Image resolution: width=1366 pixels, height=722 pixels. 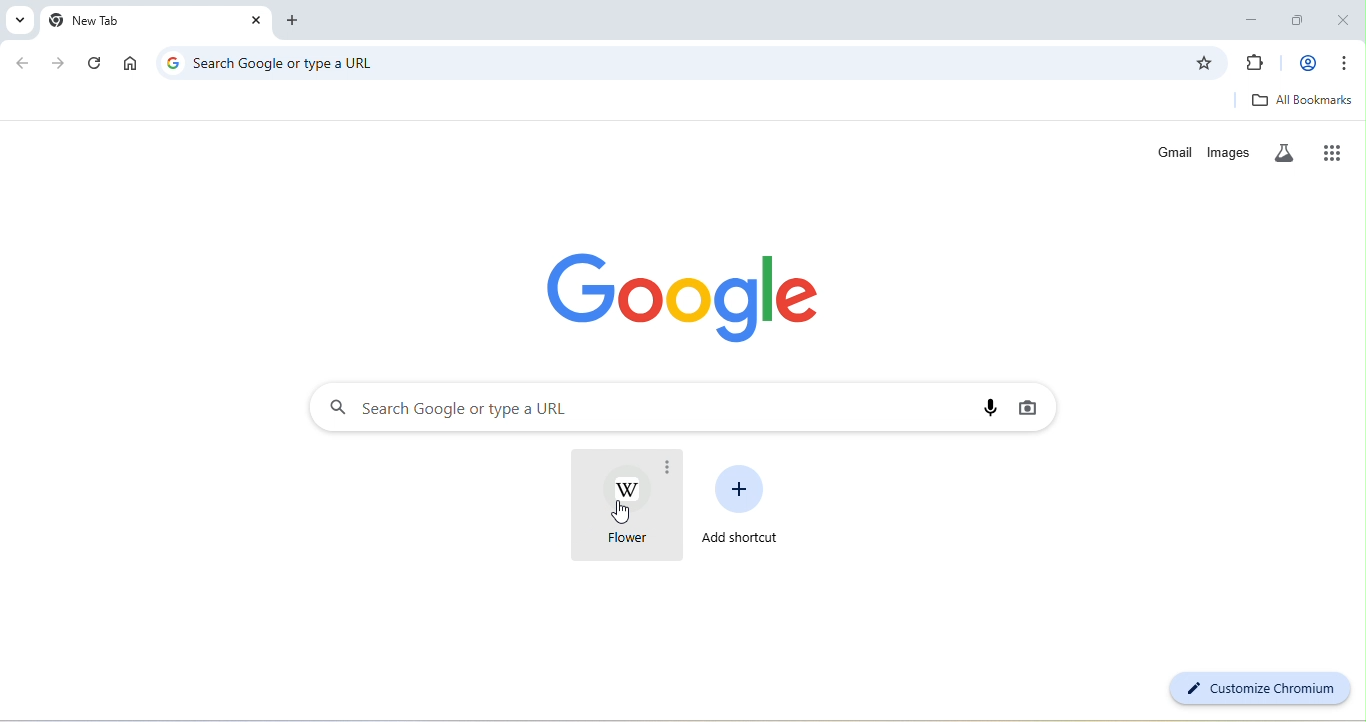 I want to click on minimize, so click(x=1252, y=17).